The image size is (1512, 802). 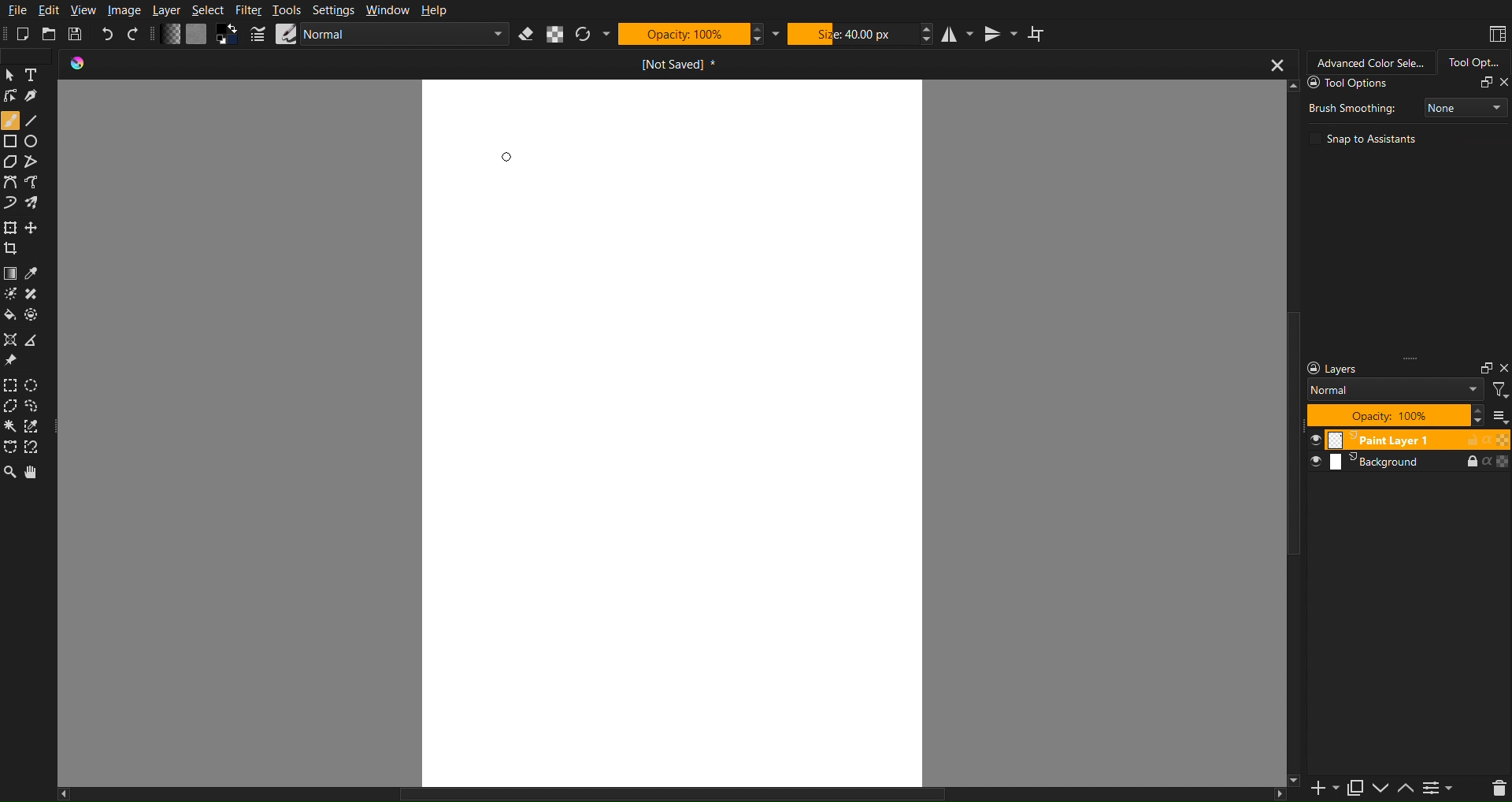 What do you see at coordinates (39, 408) in the screenshot?
I see `Custom Shape Marquee Tool` at bounding box center [39, 408].